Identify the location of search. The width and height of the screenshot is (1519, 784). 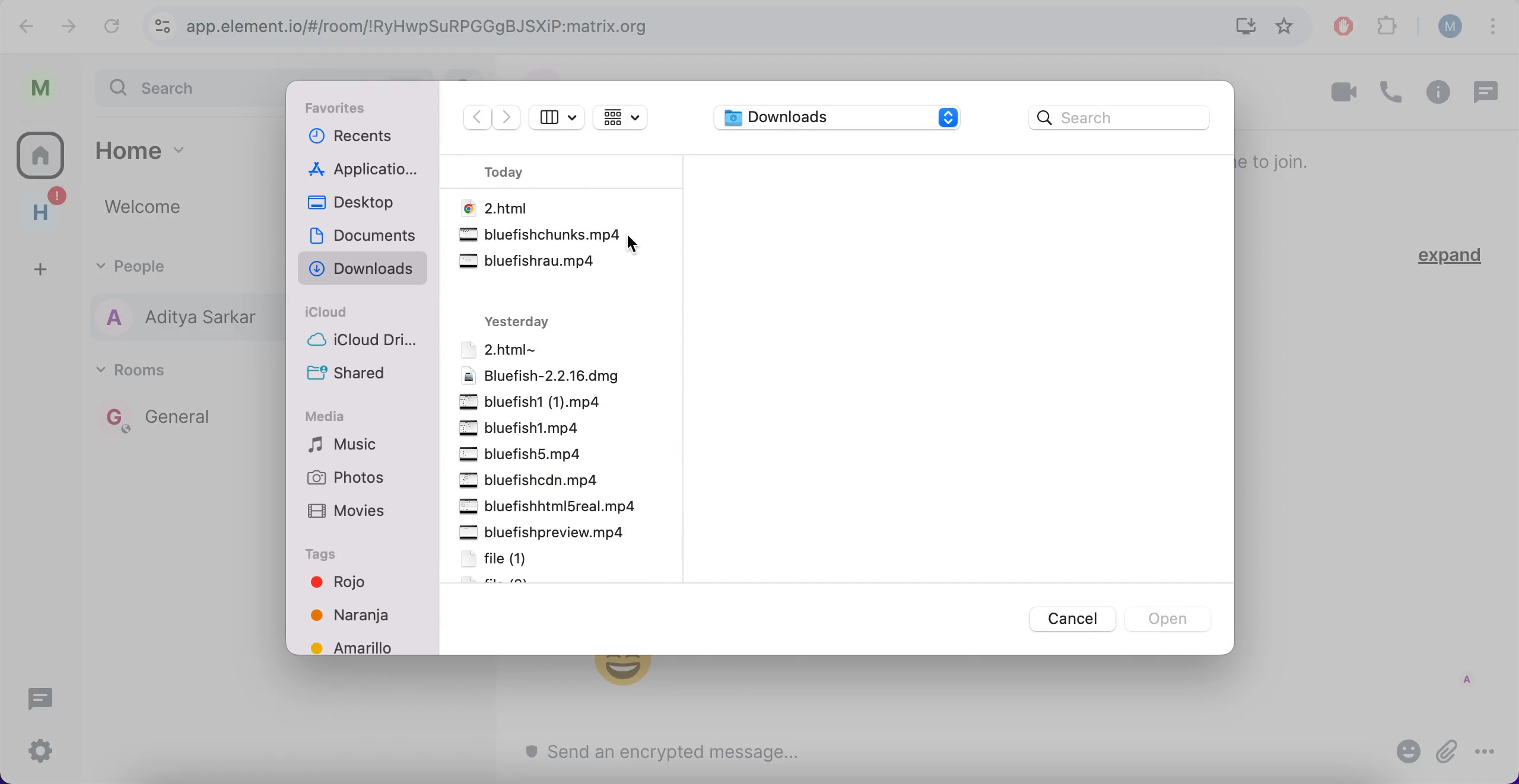
(168, 87).